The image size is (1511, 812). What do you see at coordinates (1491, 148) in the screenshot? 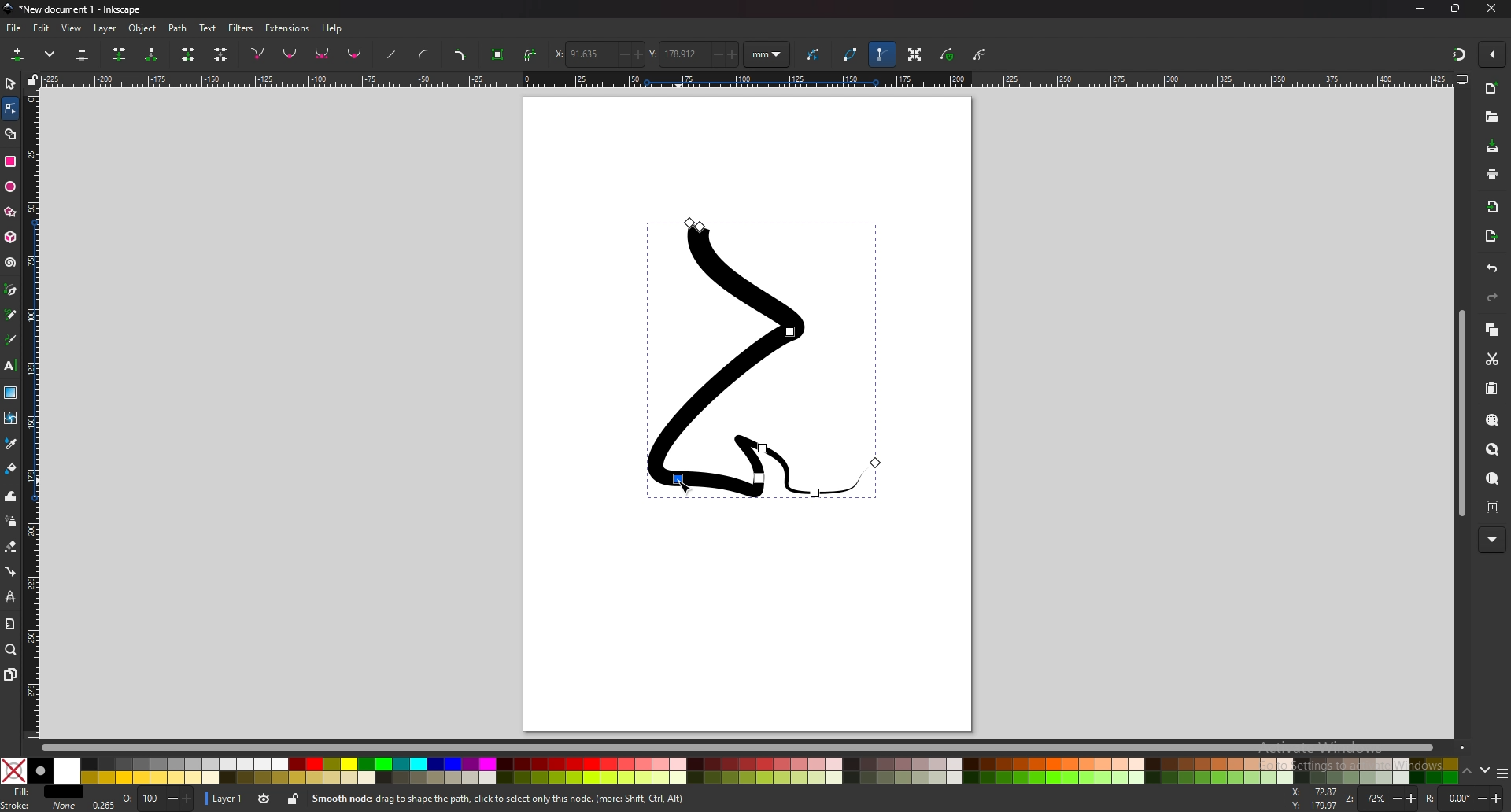
I see `save` at bounding box center [1491, 148].